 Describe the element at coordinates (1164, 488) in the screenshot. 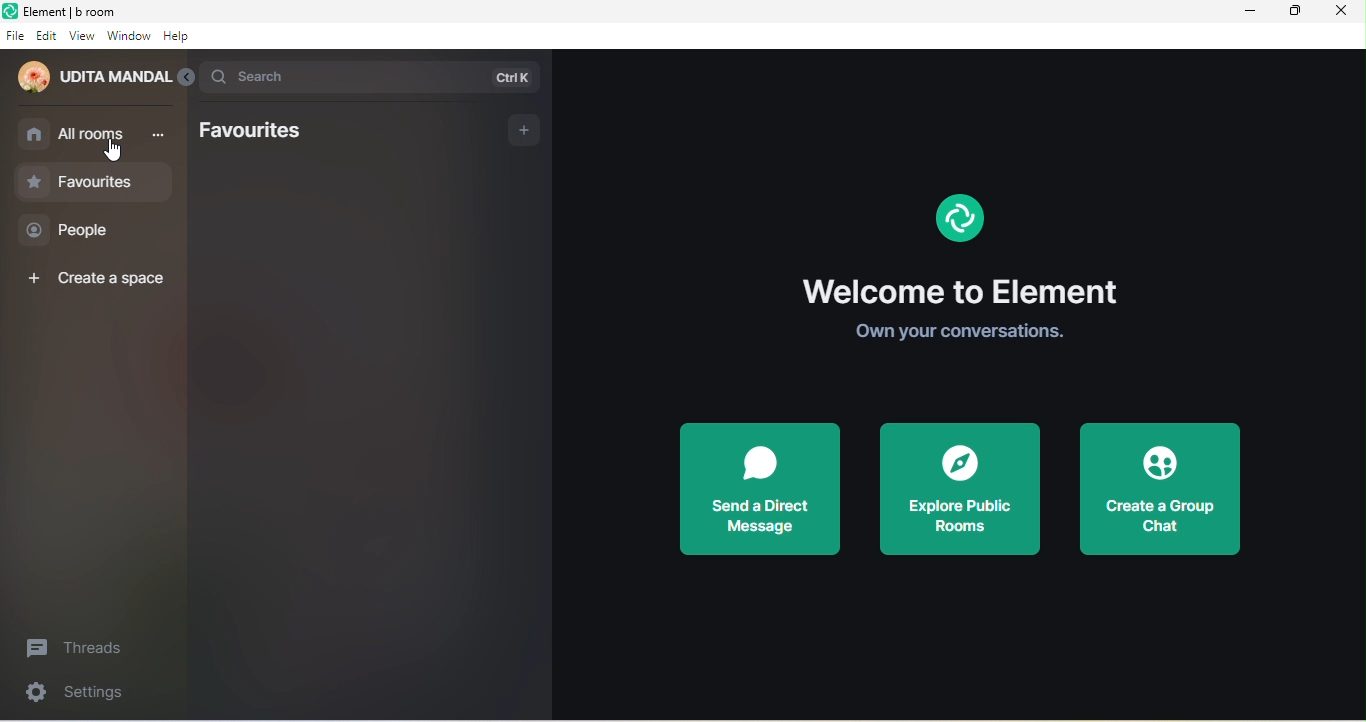

I see `create a group chat` at that location.